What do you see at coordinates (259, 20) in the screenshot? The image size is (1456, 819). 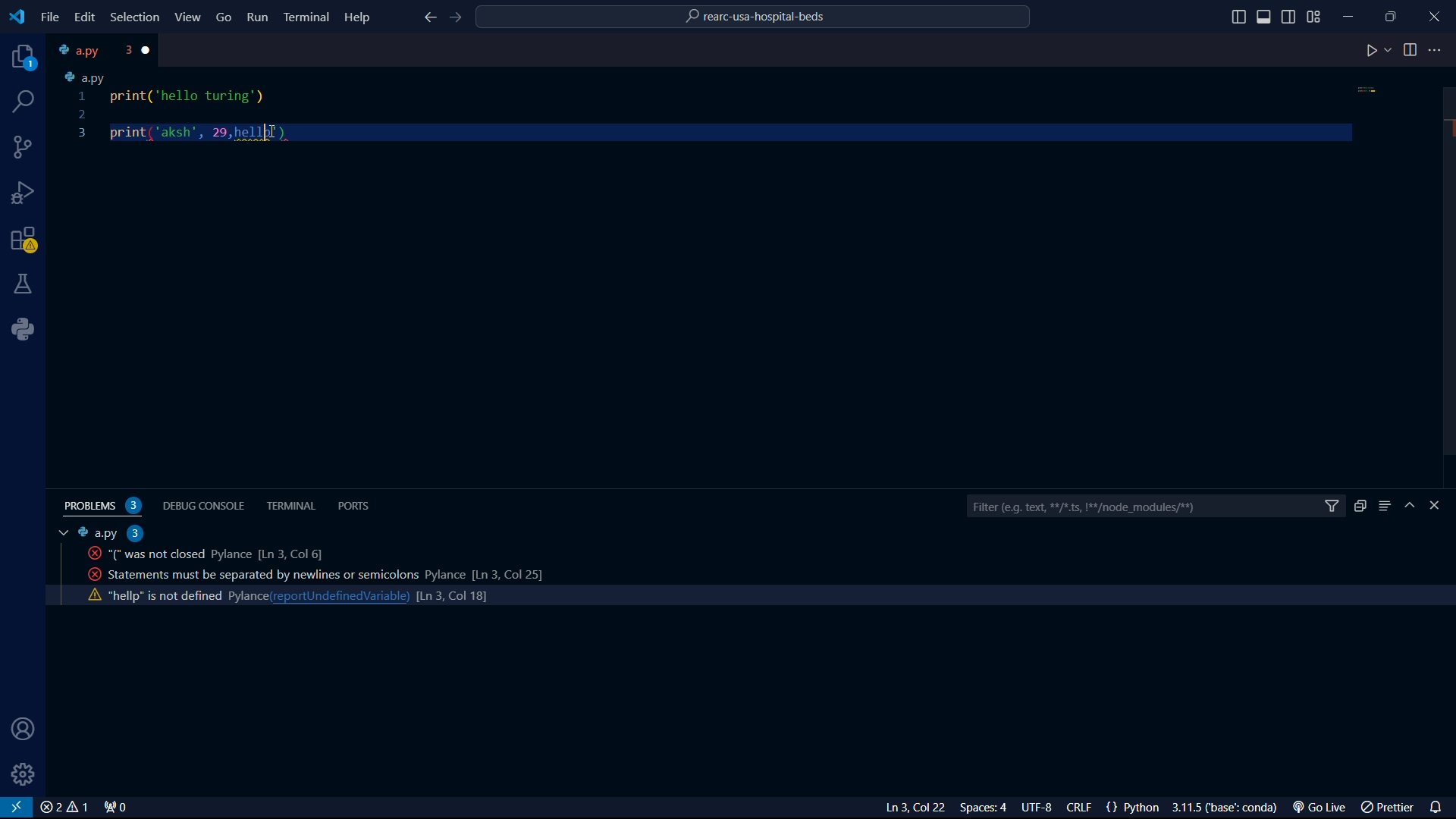 I see `Run` at bounding box center [259, 20].